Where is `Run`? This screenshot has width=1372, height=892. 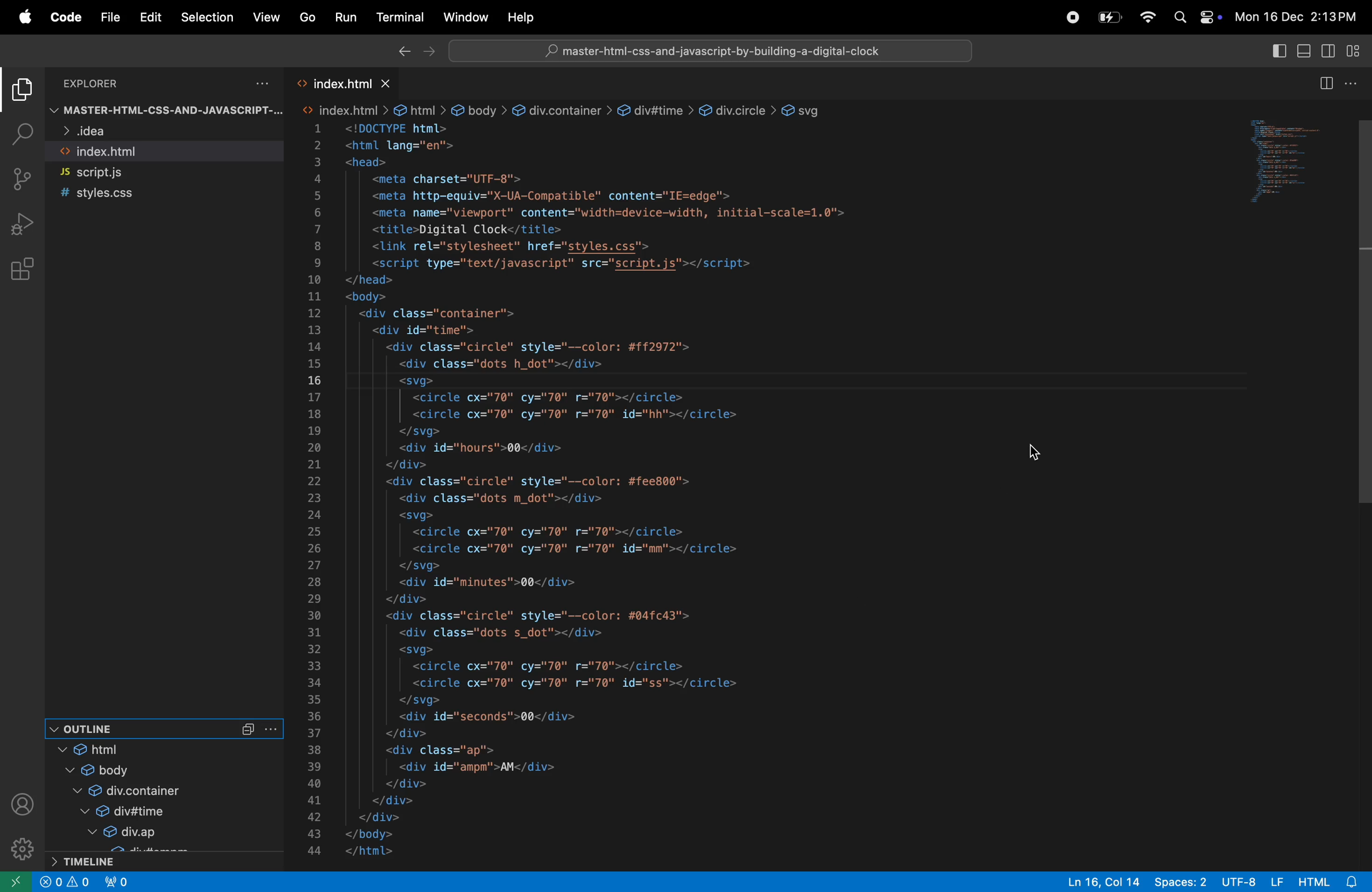
Run is located at coordinates (345, 17).